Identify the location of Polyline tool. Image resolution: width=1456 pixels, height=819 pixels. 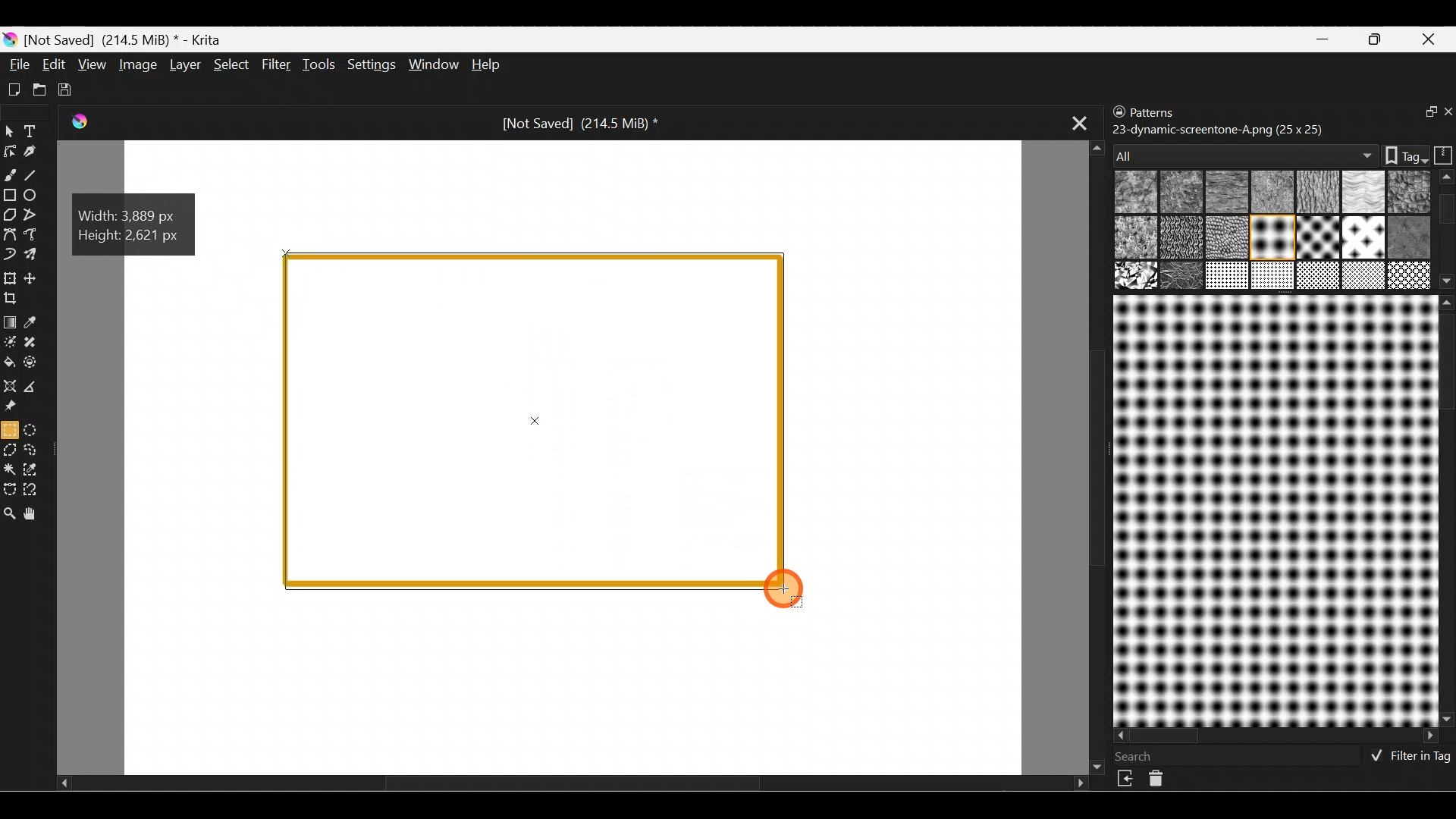
(32, 215).